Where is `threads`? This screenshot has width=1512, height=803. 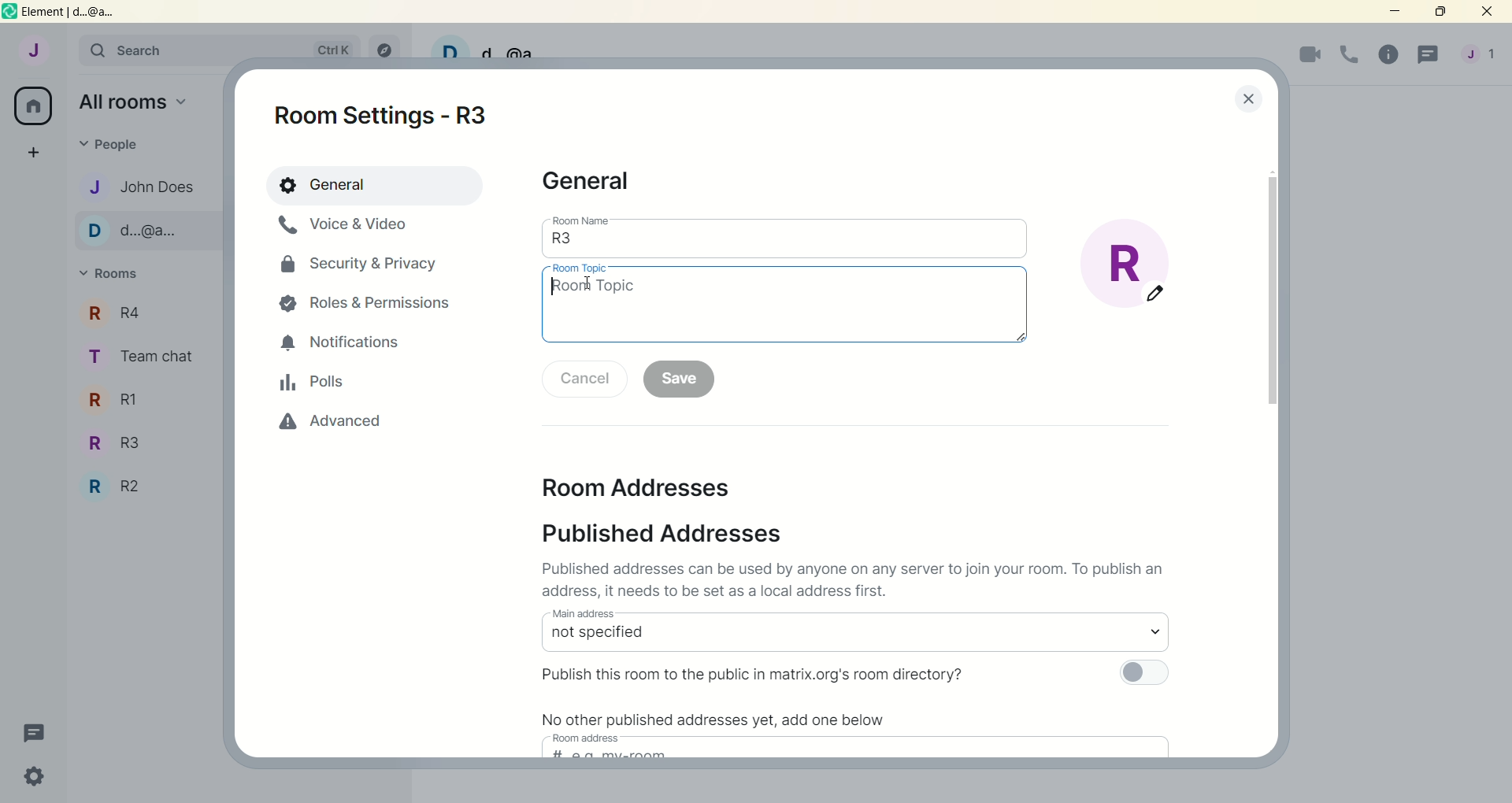
threads is located at coordinates (1429, 57).